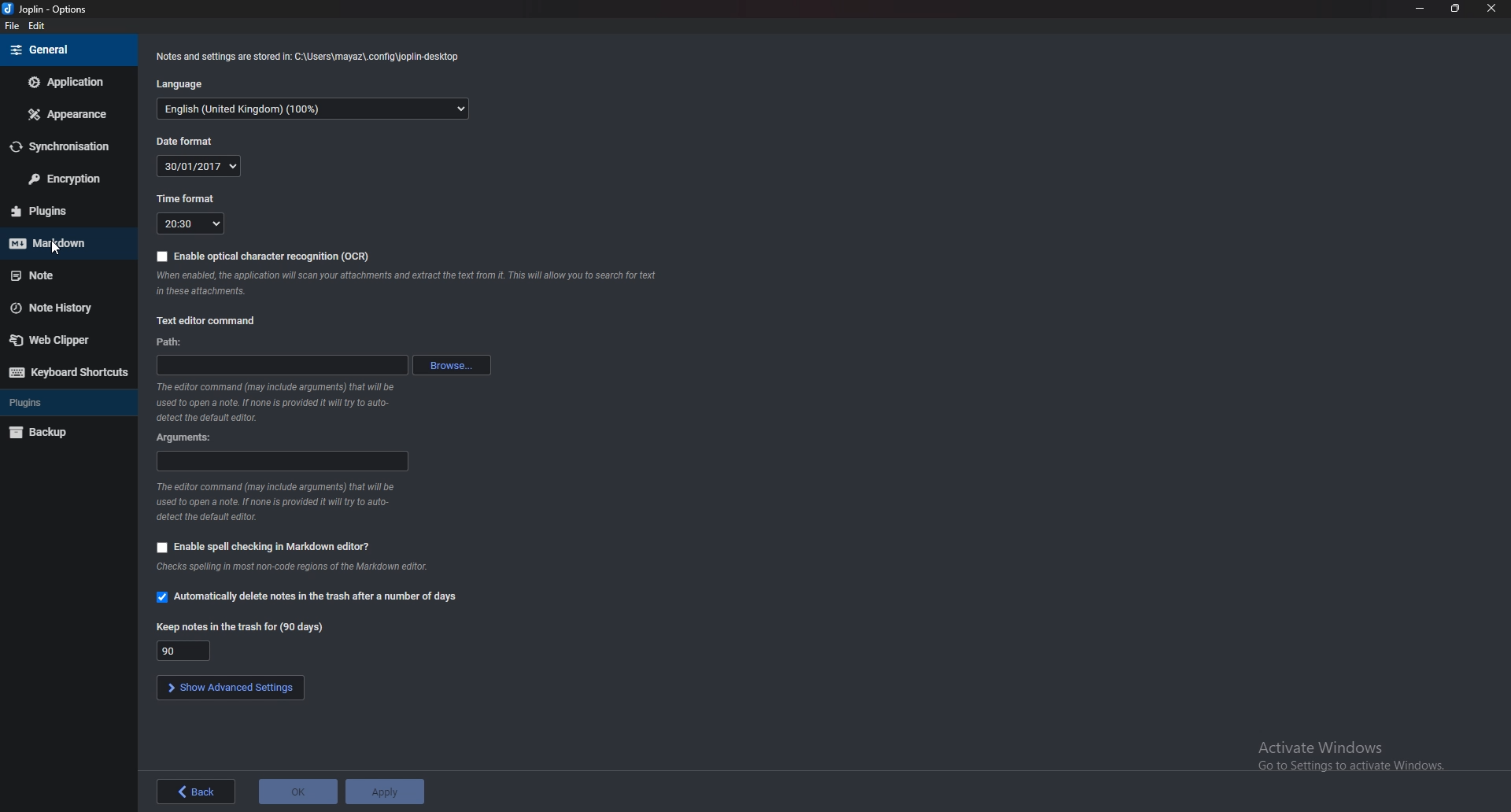 The image size is (1511, 812). I want to click on The editor command that will be used to open a note. If none is provided it will try to auto-Detect the default editor., so click(284, 403).